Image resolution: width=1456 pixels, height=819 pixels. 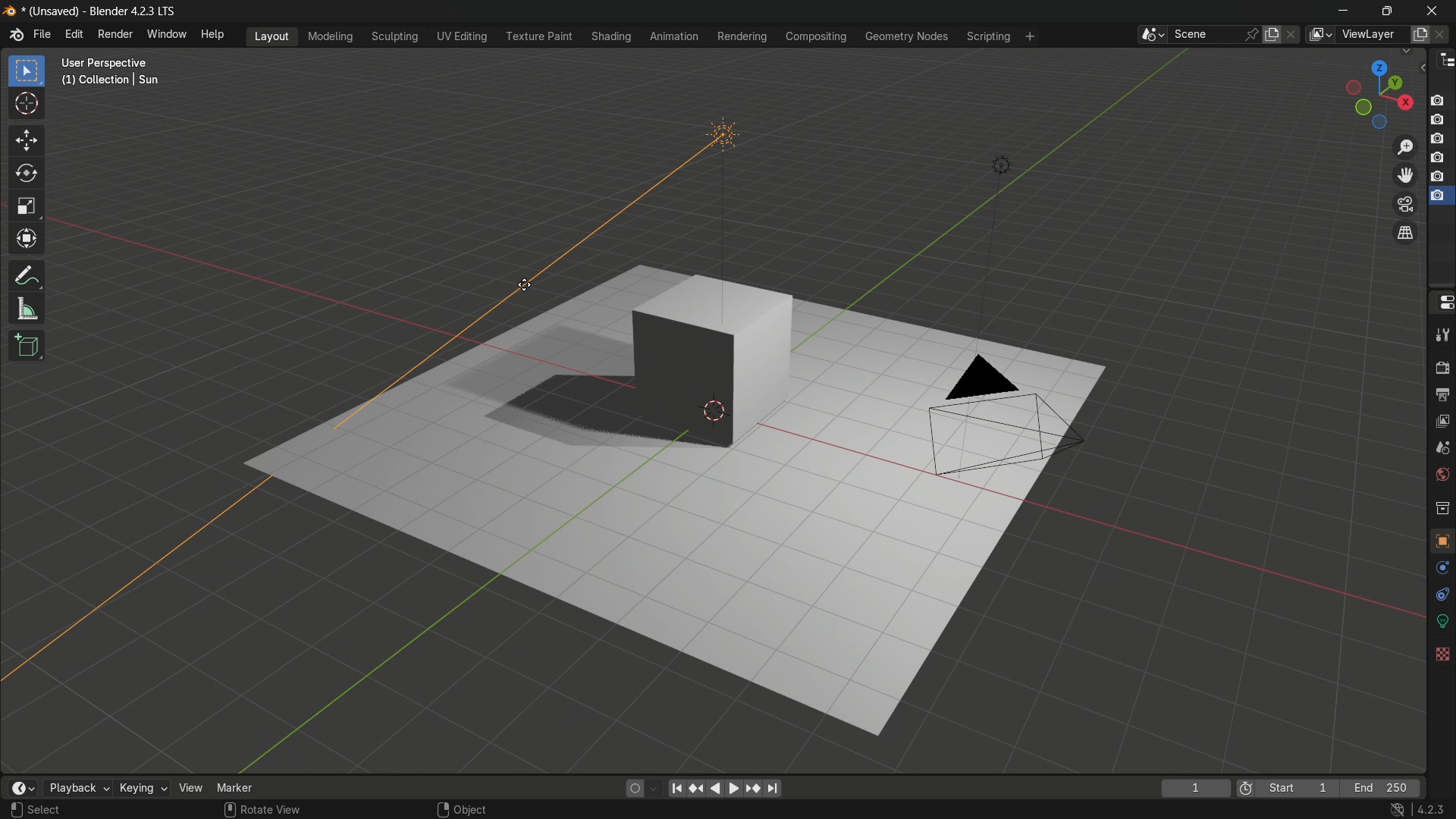 What do you see at coordinates (740, 36) in the screenshot?
I see `rendering` at bounding box center [740, 36].